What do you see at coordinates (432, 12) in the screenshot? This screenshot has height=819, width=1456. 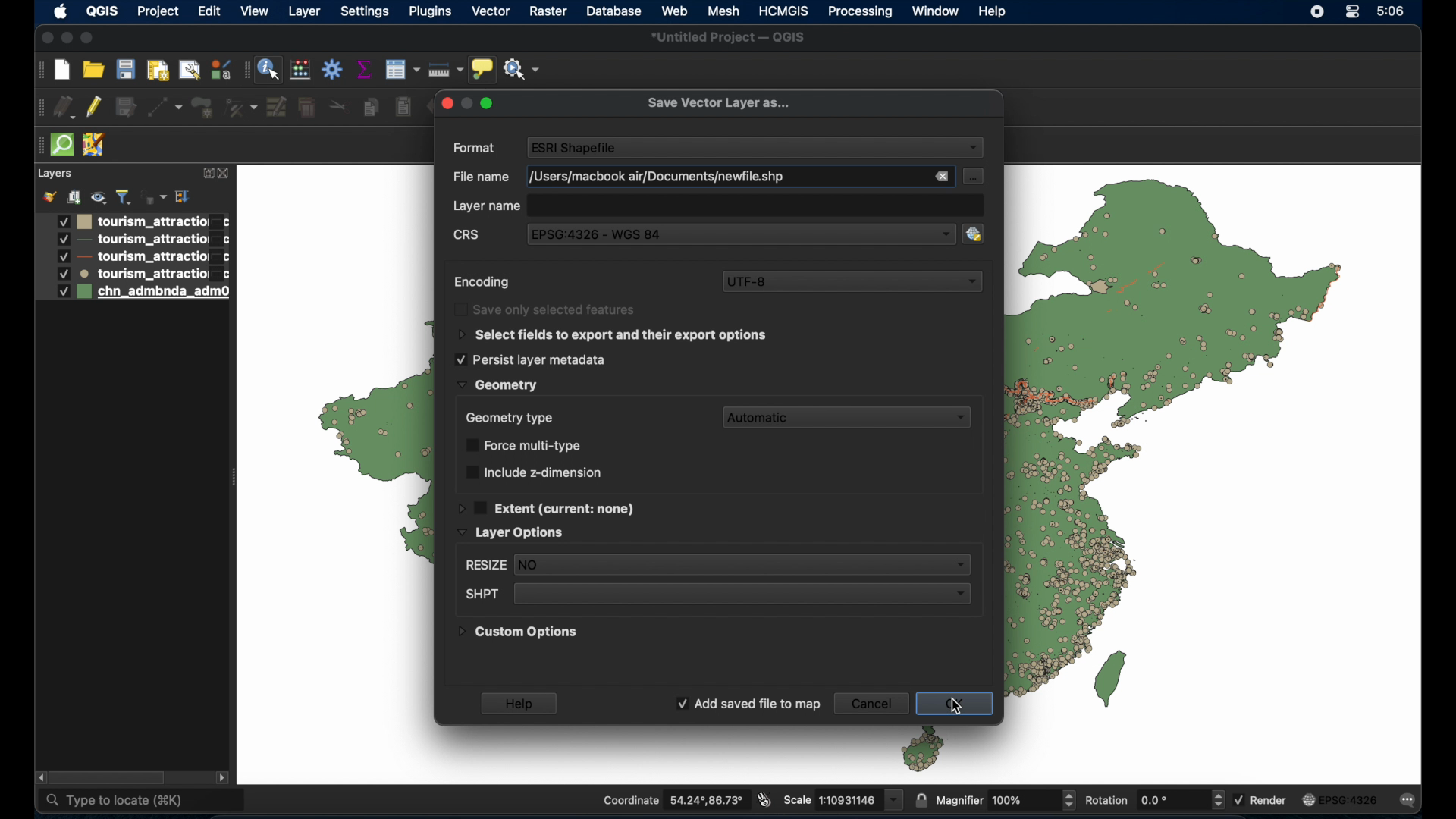 I see `plugins` at bounding box center [432, 12].